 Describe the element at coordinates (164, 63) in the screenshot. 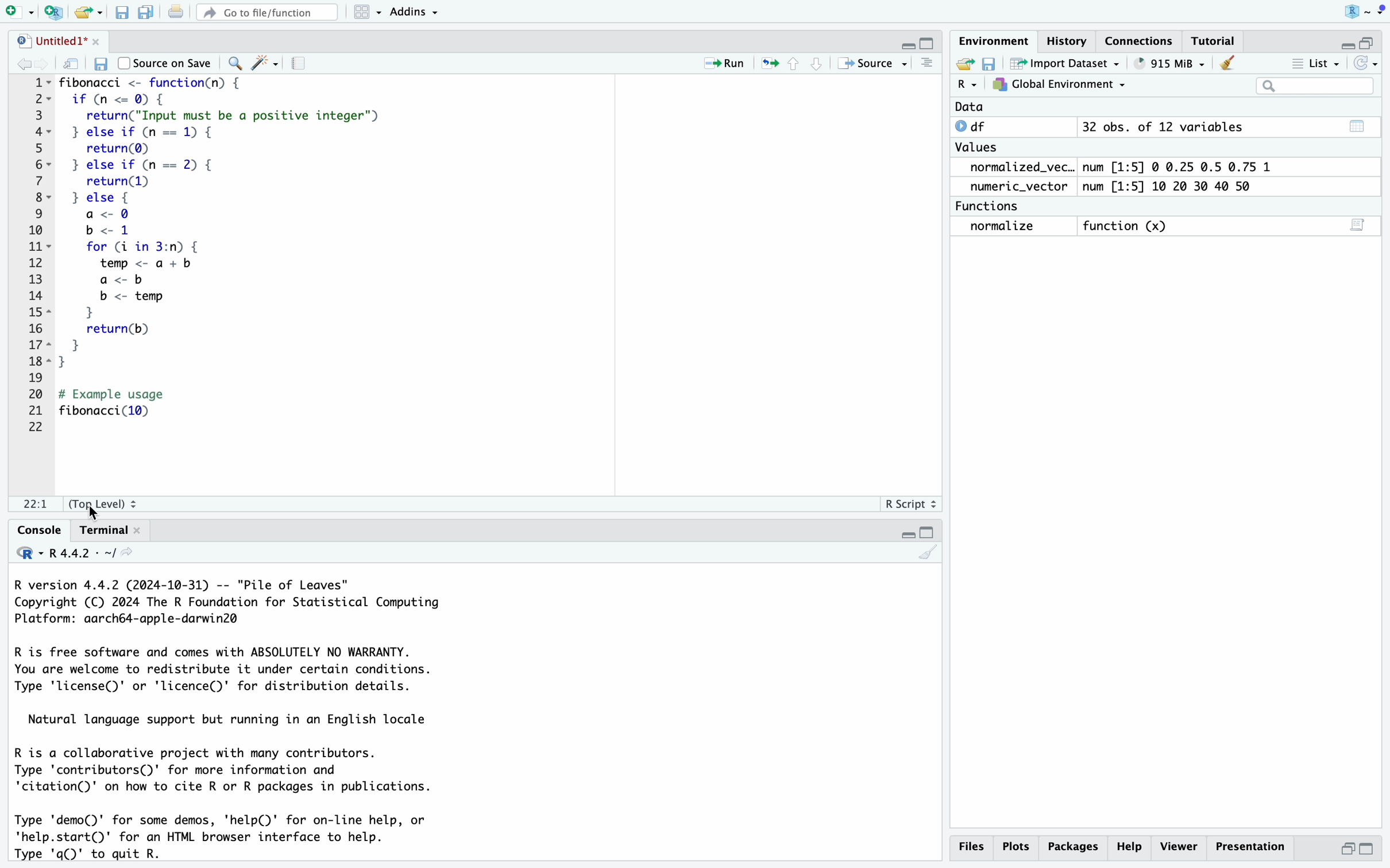

I see `source on save` at that location.